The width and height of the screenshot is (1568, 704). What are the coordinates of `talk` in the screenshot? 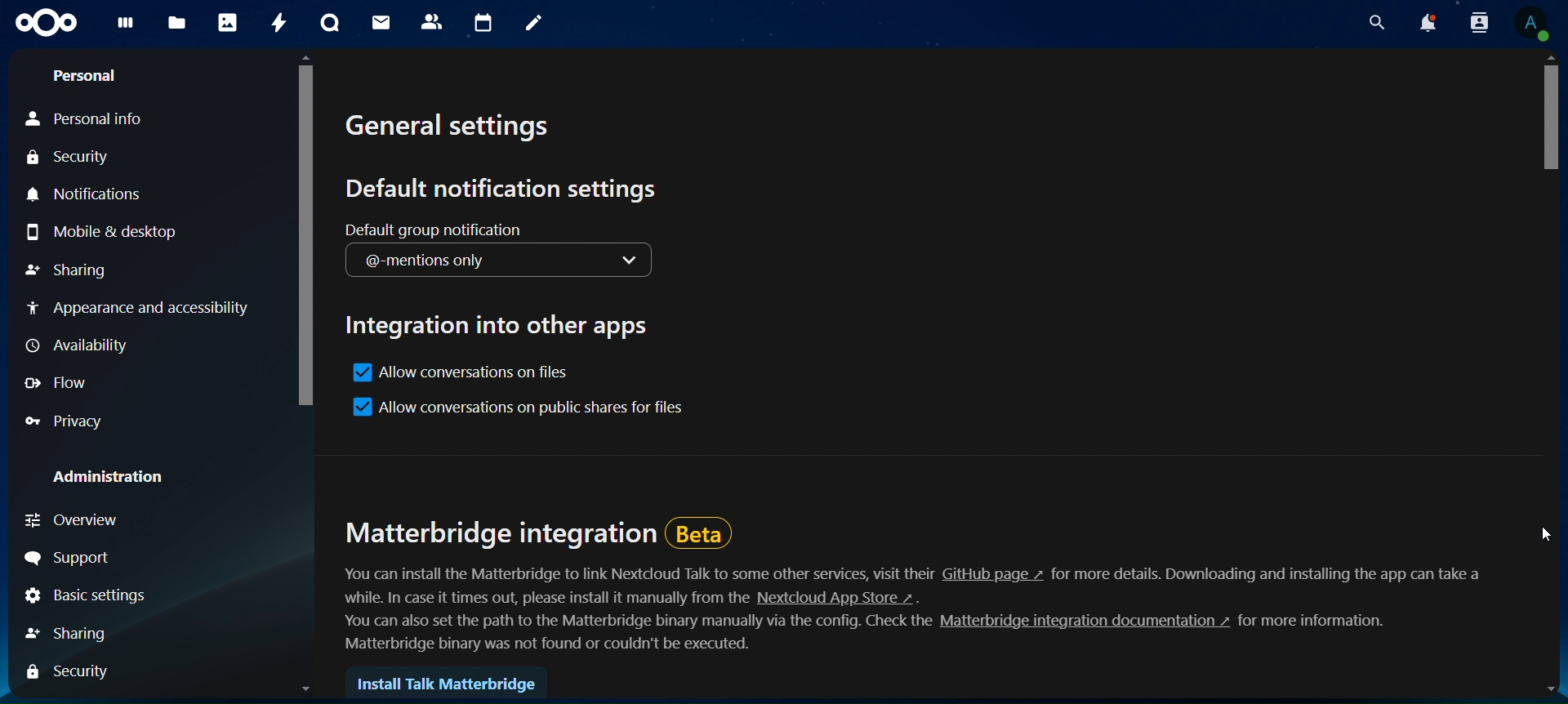 It's located at (332, 23).